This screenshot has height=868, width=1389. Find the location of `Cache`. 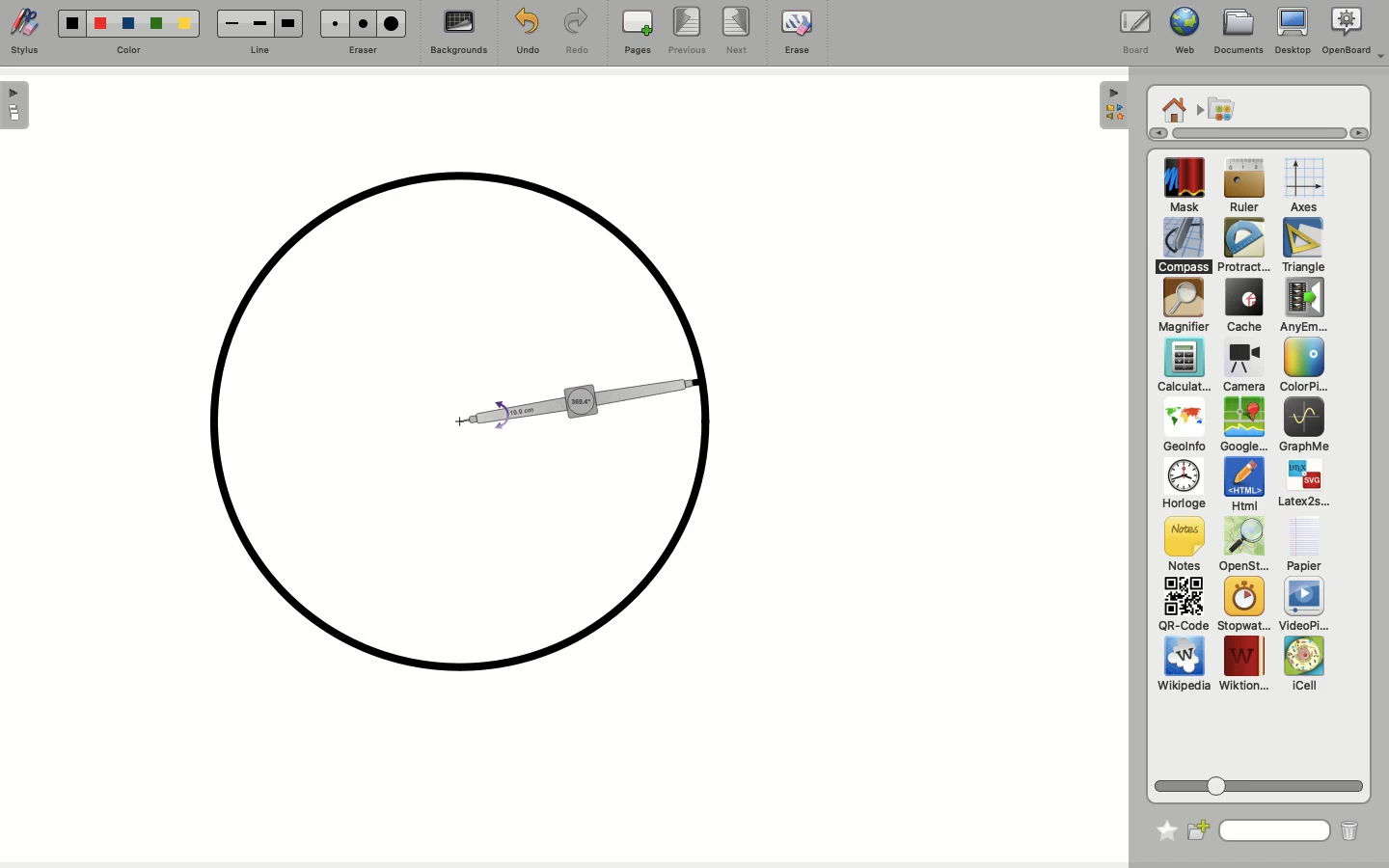

Cache is located at coordinates (1241, 308).